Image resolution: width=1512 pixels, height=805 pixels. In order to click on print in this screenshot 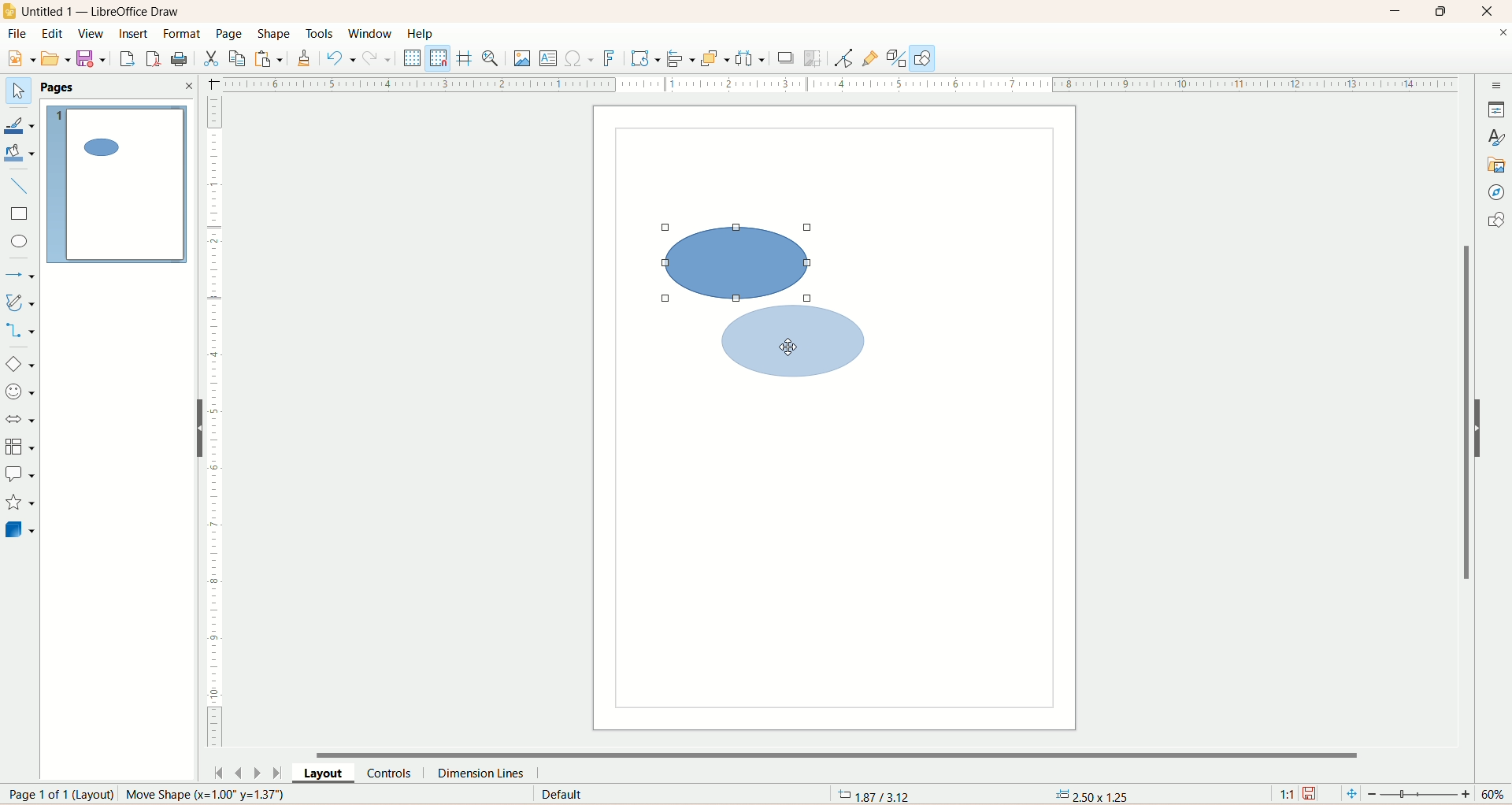, I will do `click(185, 60)`.